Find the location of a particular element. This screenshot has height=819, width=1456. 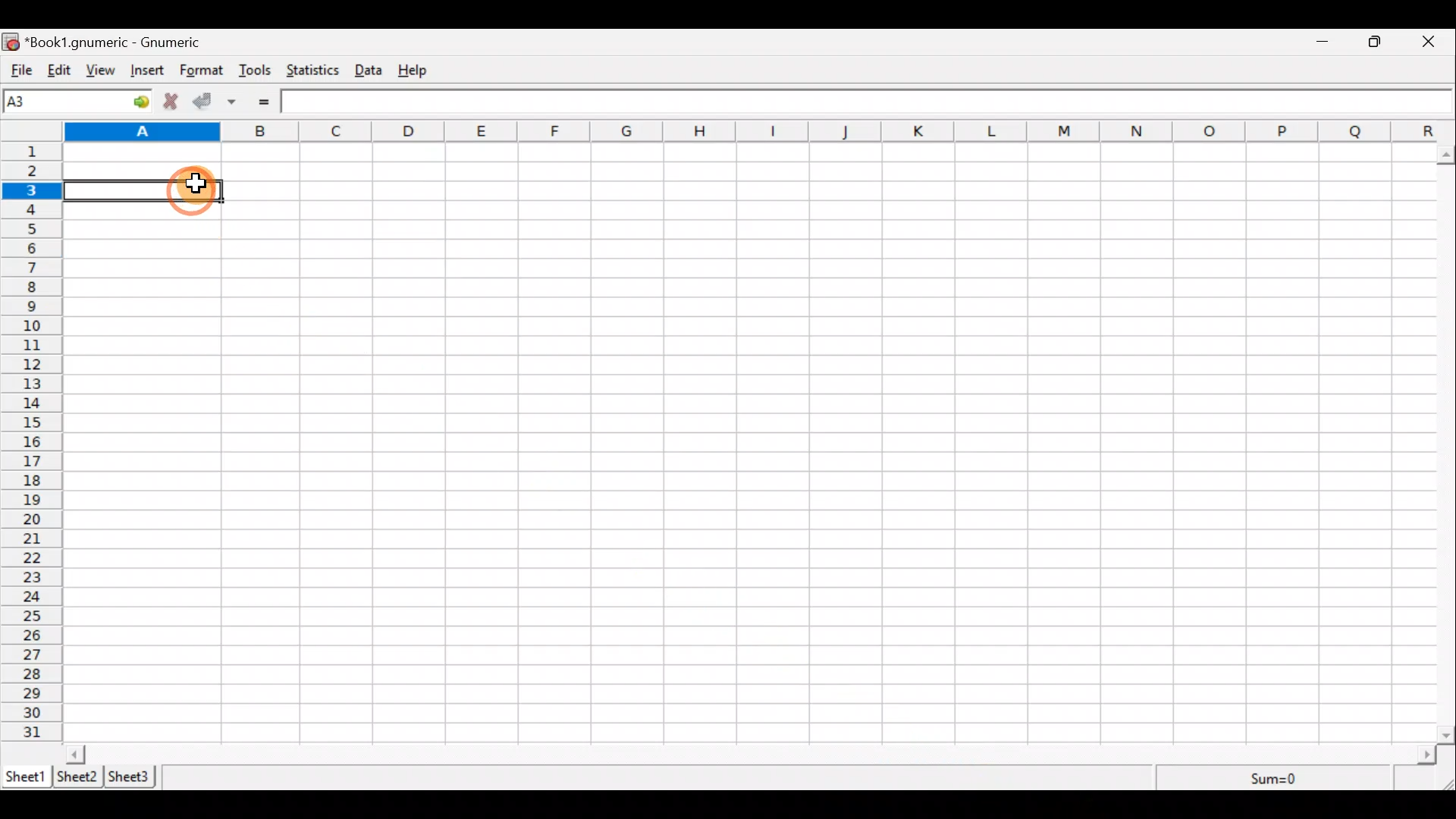

Accept change in multiple cells is located at coordinates (237, 102).